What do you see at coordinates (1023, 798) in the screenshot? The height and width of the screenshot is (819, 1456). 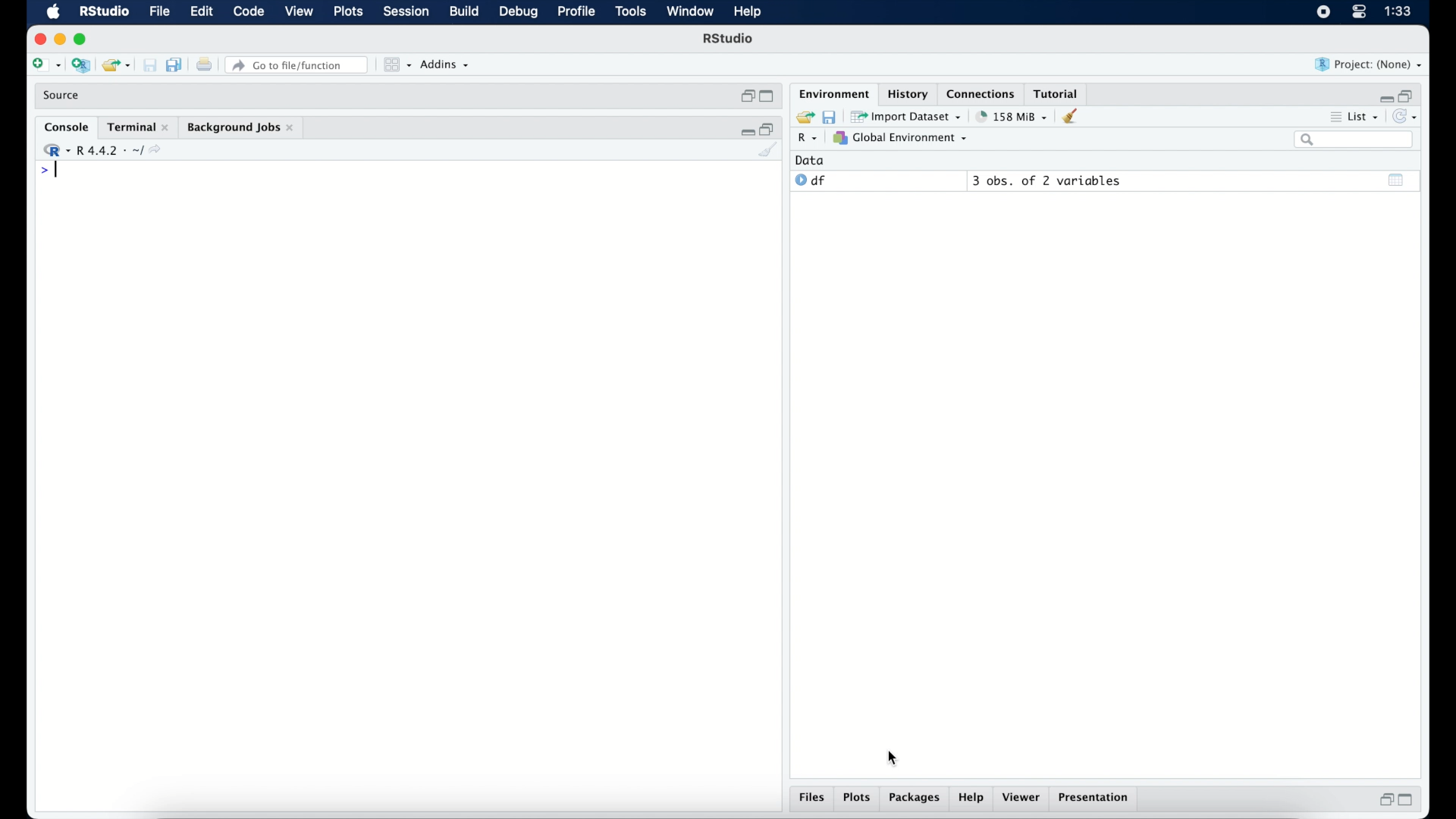 I see `viewer` at bounding box center [1023, 798].